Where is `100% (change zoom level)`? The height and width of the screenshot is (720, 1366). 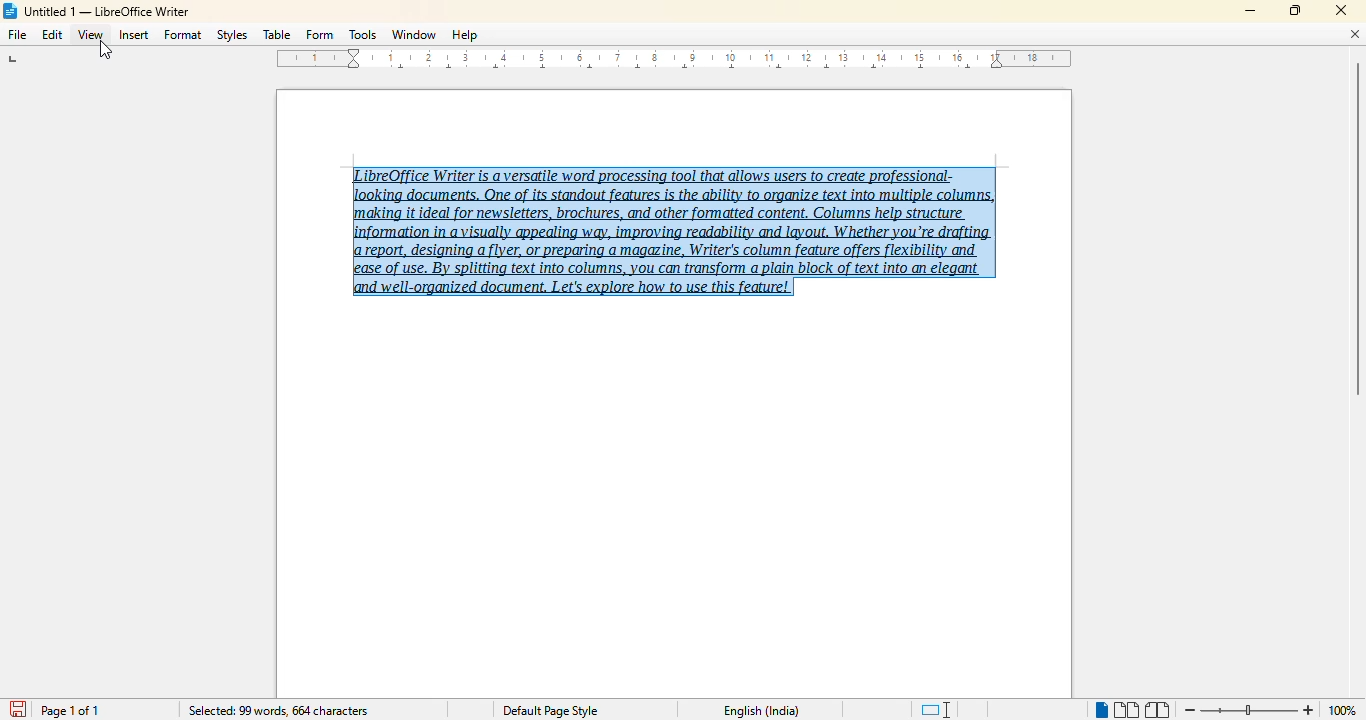 100% (change zoom level) is located at coordinates (1345, 711).